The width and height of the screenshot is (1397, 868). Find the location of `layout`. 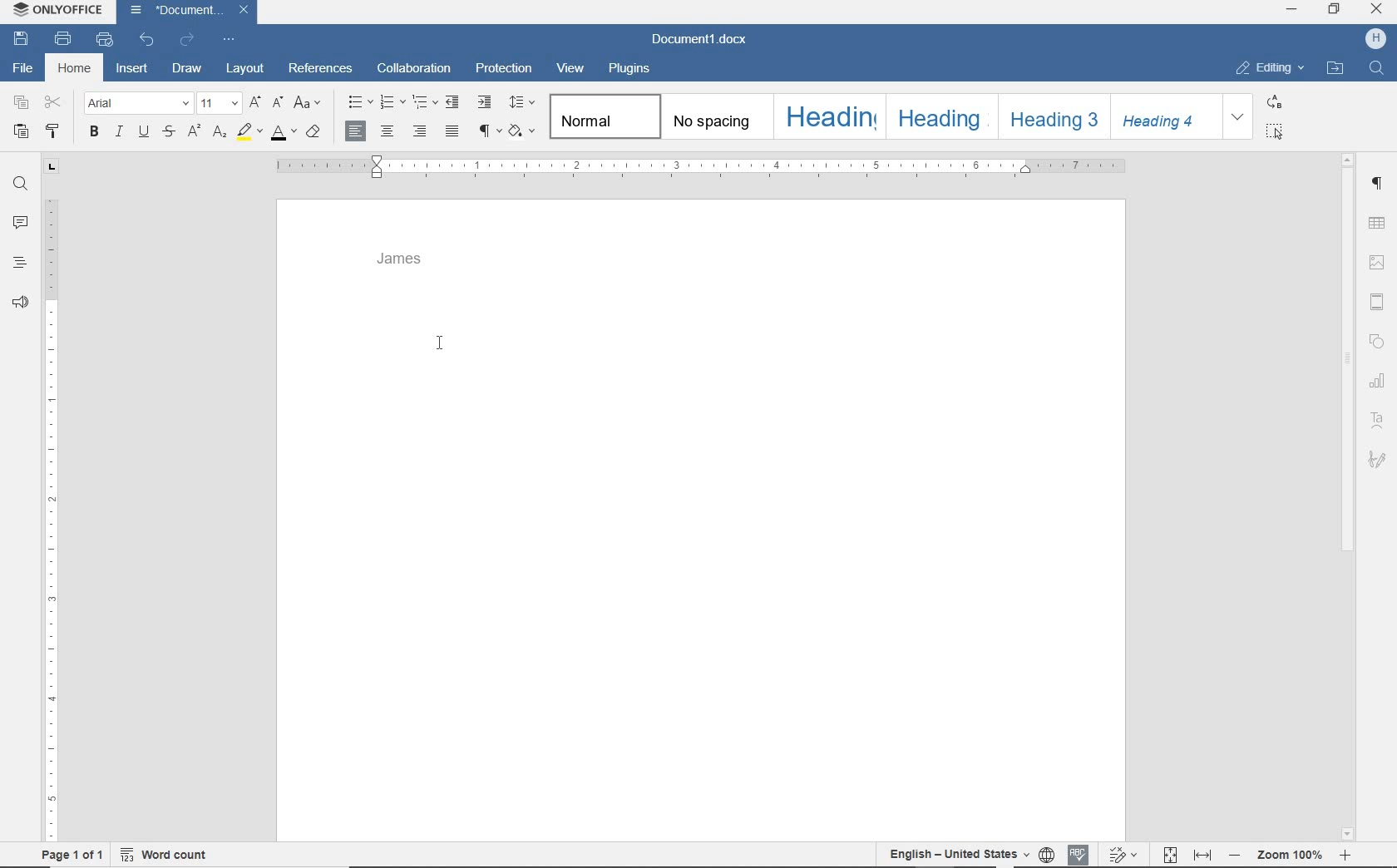

layout is located at coordinates (245, 69).